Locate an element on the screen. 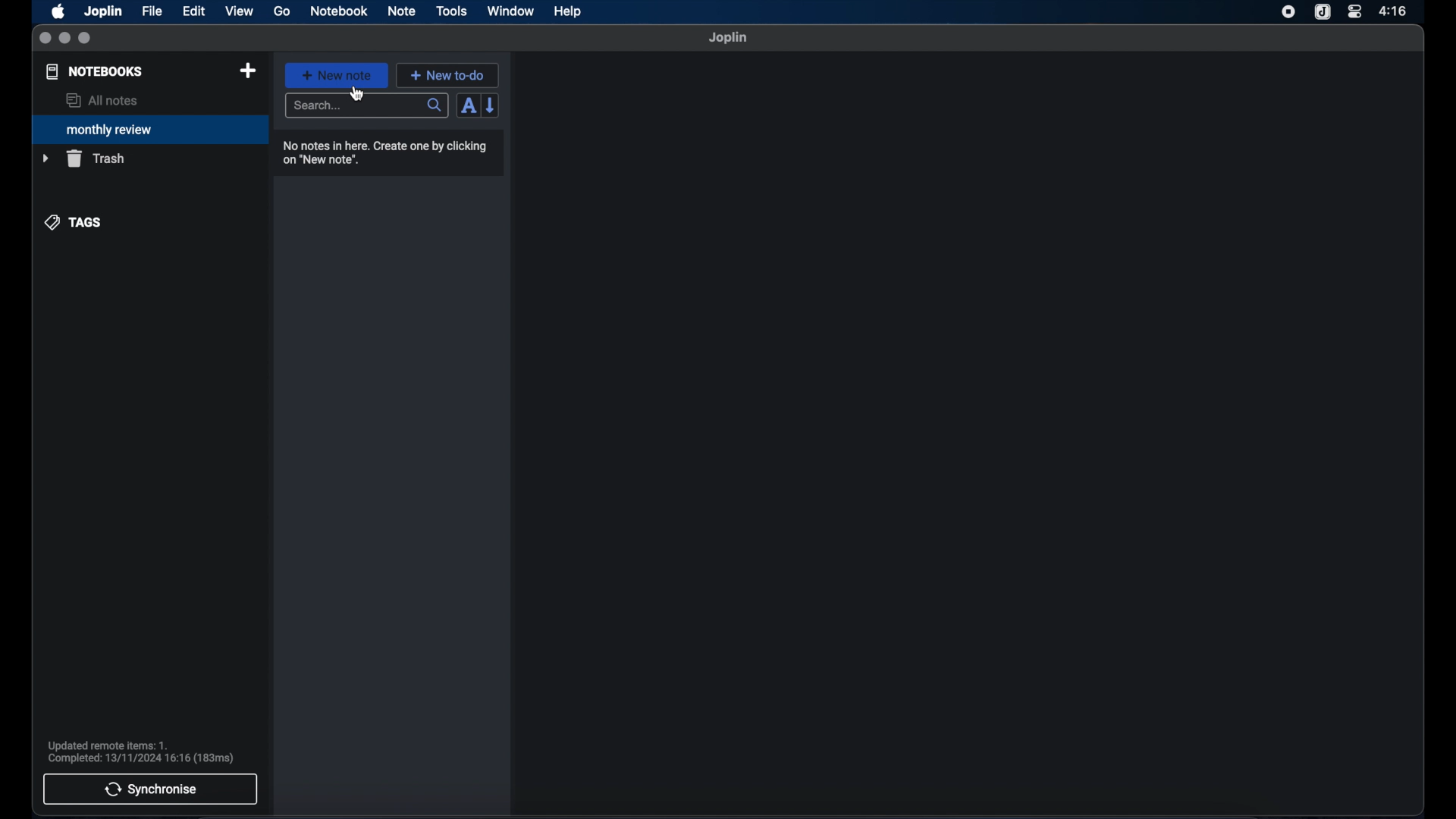 The width and height of the screenshot is (1456, 819). trash is located at coordinates (83, 158).